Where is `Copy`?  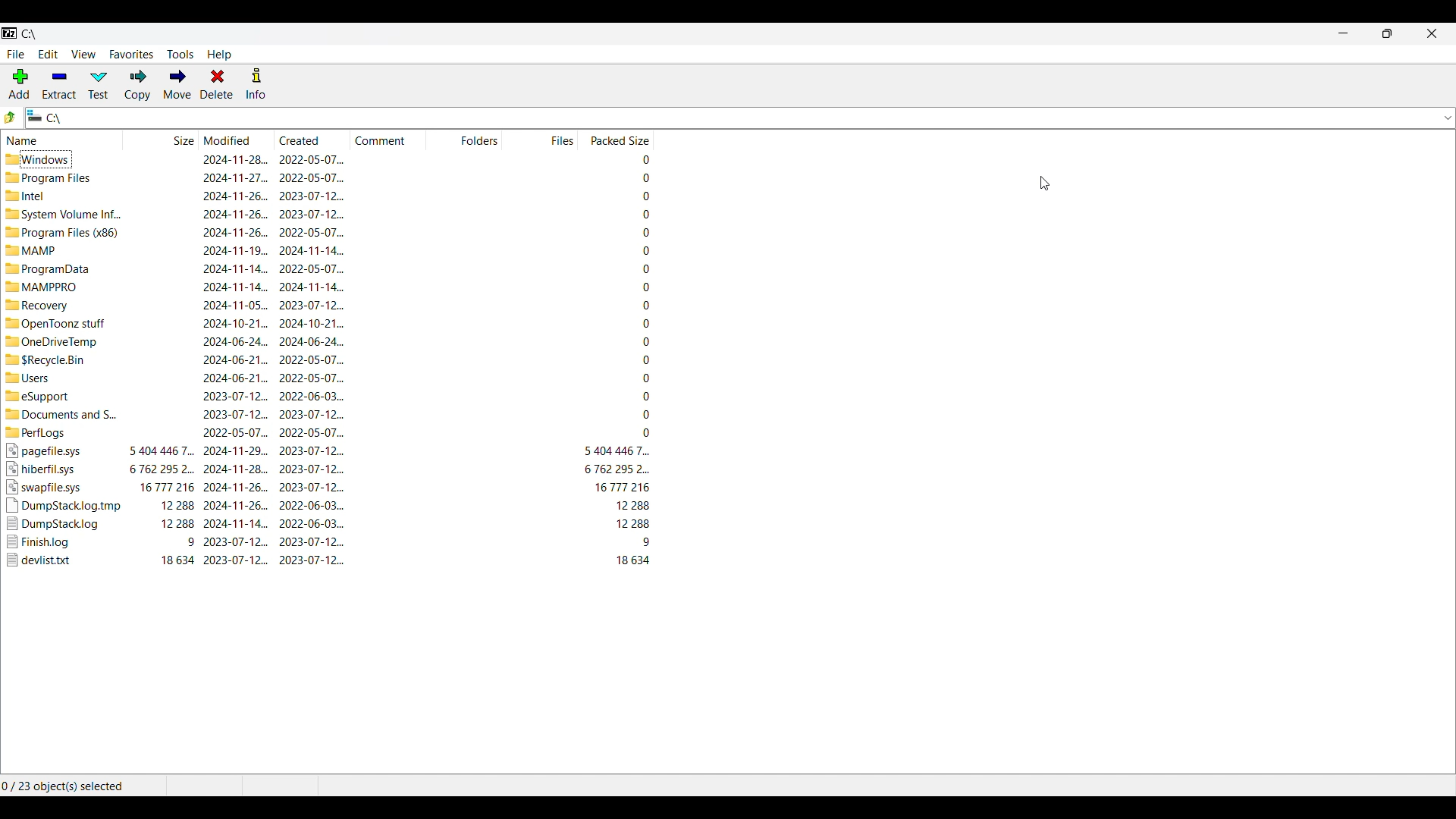
Copy is located at coordinates (137, 85).